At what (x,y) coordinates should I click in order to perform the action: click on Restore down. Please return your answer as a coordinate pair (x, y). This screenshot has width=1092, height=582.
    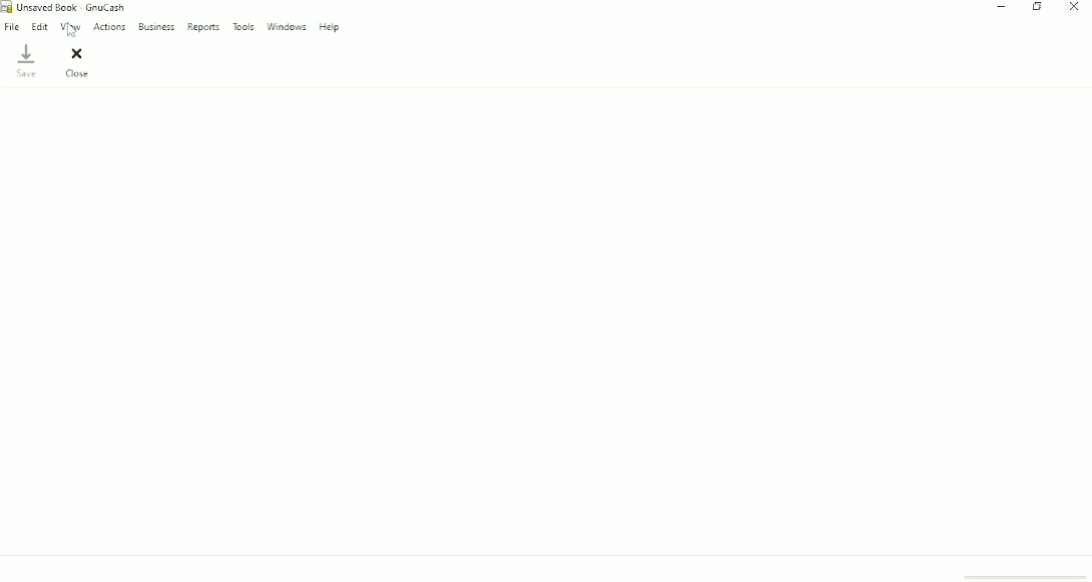
    Looking at the image, I should click on (1037, 7).